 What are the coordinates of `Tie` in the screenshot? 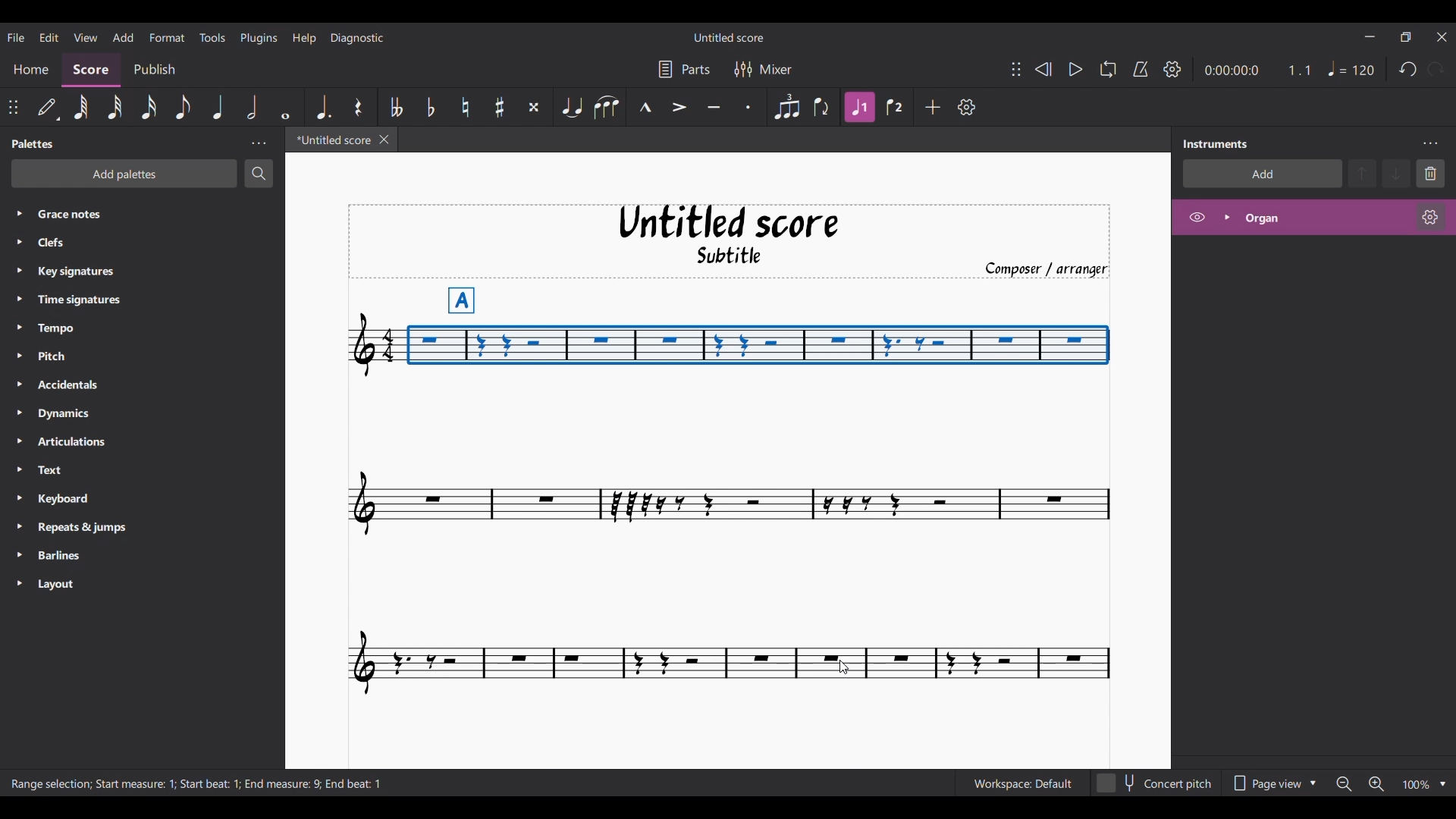 It's located at (571, 106).